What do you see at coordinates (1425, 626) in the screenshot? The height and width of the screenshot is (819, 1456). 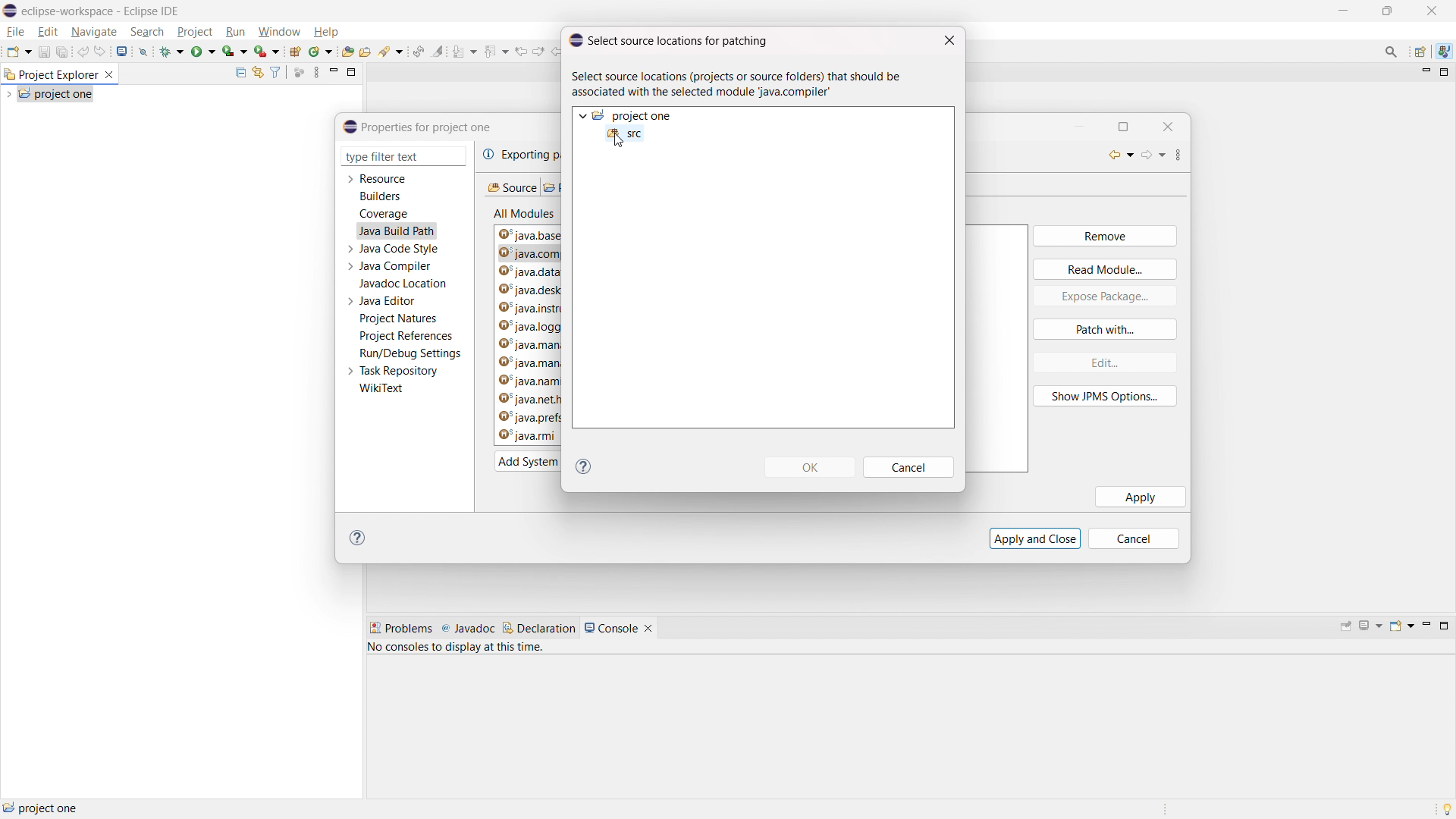 I see `minimize` at bounding box center [1425, 626].